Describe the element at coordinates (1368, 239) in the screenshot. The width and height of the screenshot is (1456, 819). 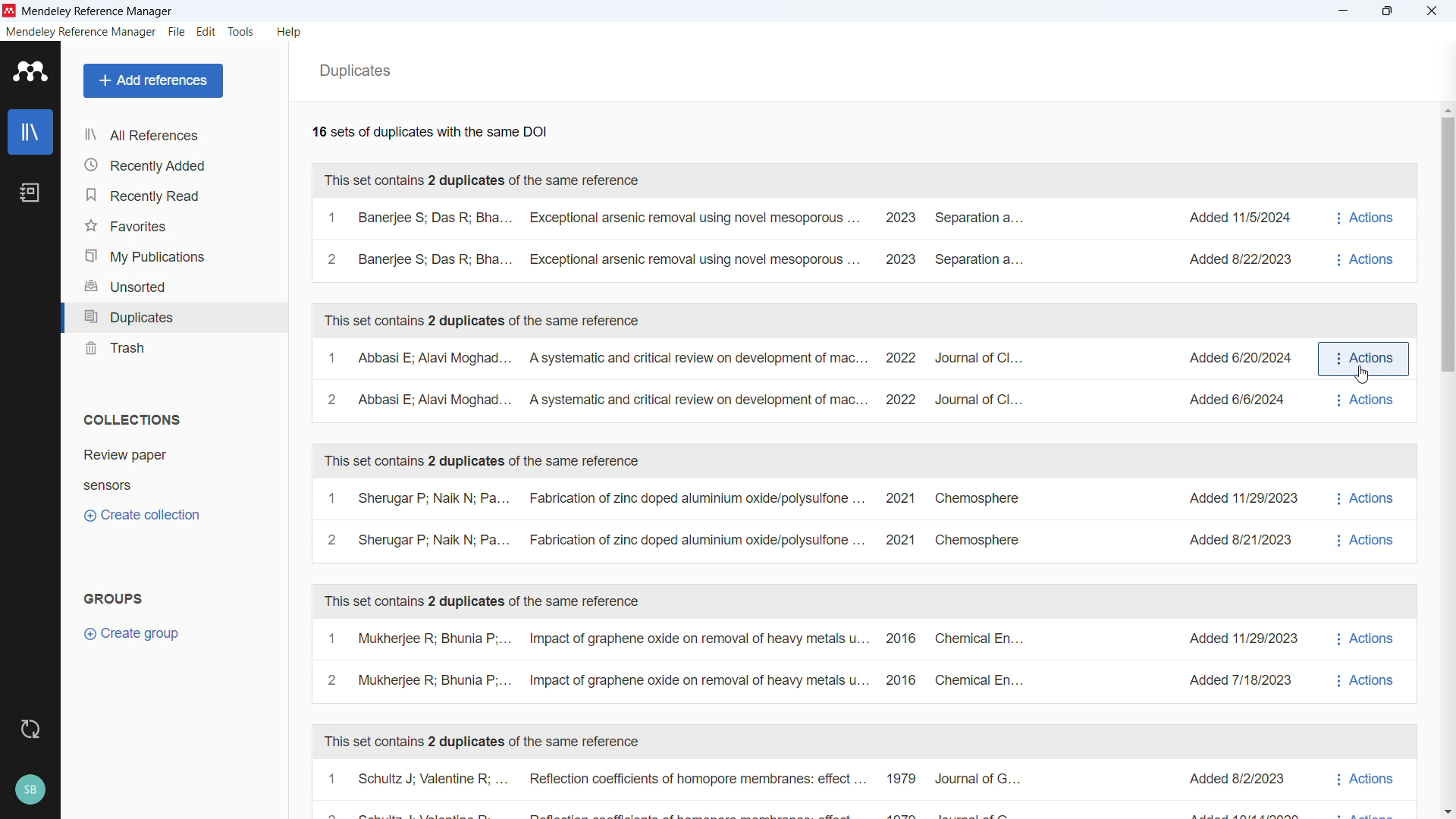
I see `Actions ` at that location.